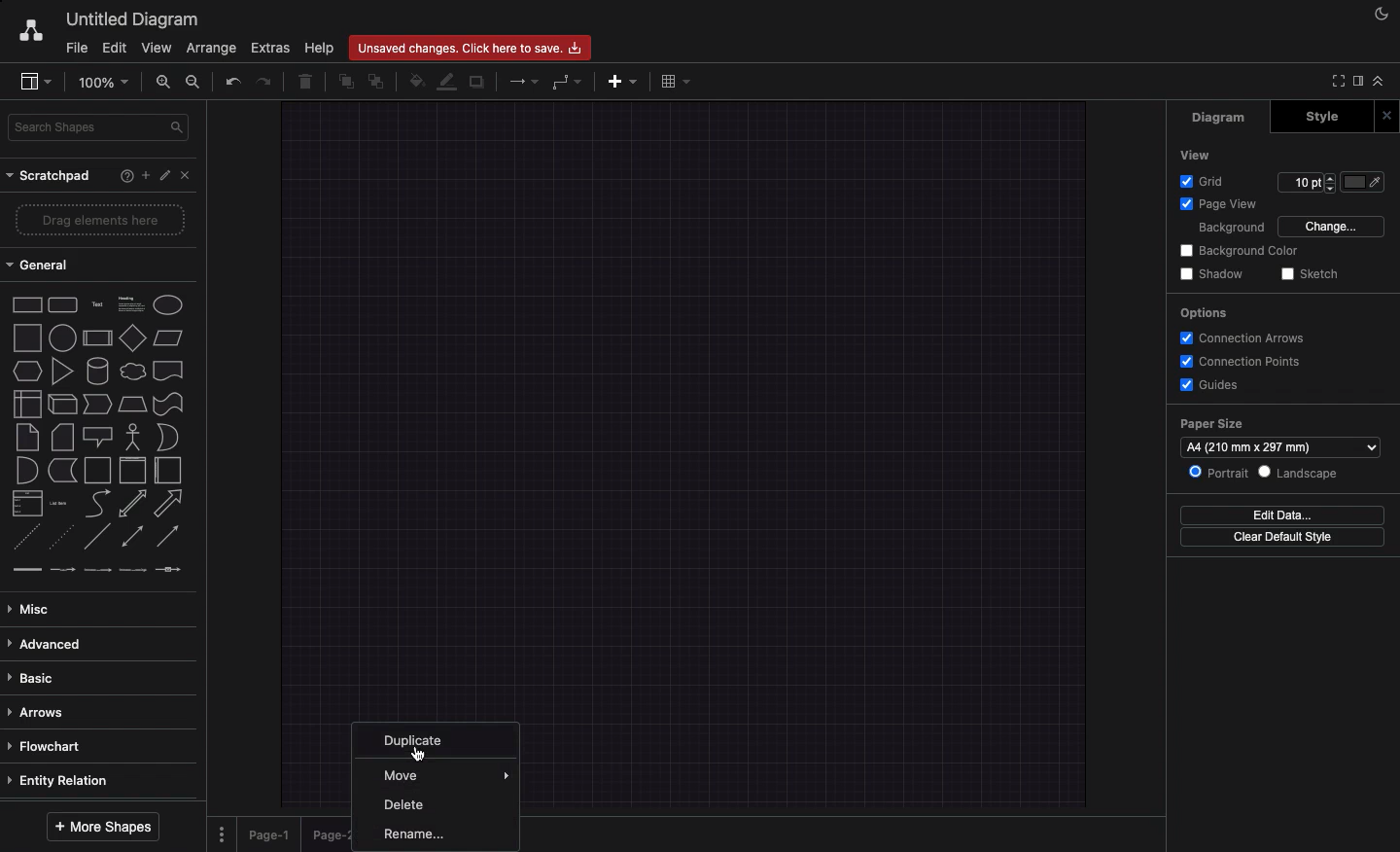  What do you see at coordinates (269, 49) in the screenshot?
I see `Extras` at bounding box center [269, 49].